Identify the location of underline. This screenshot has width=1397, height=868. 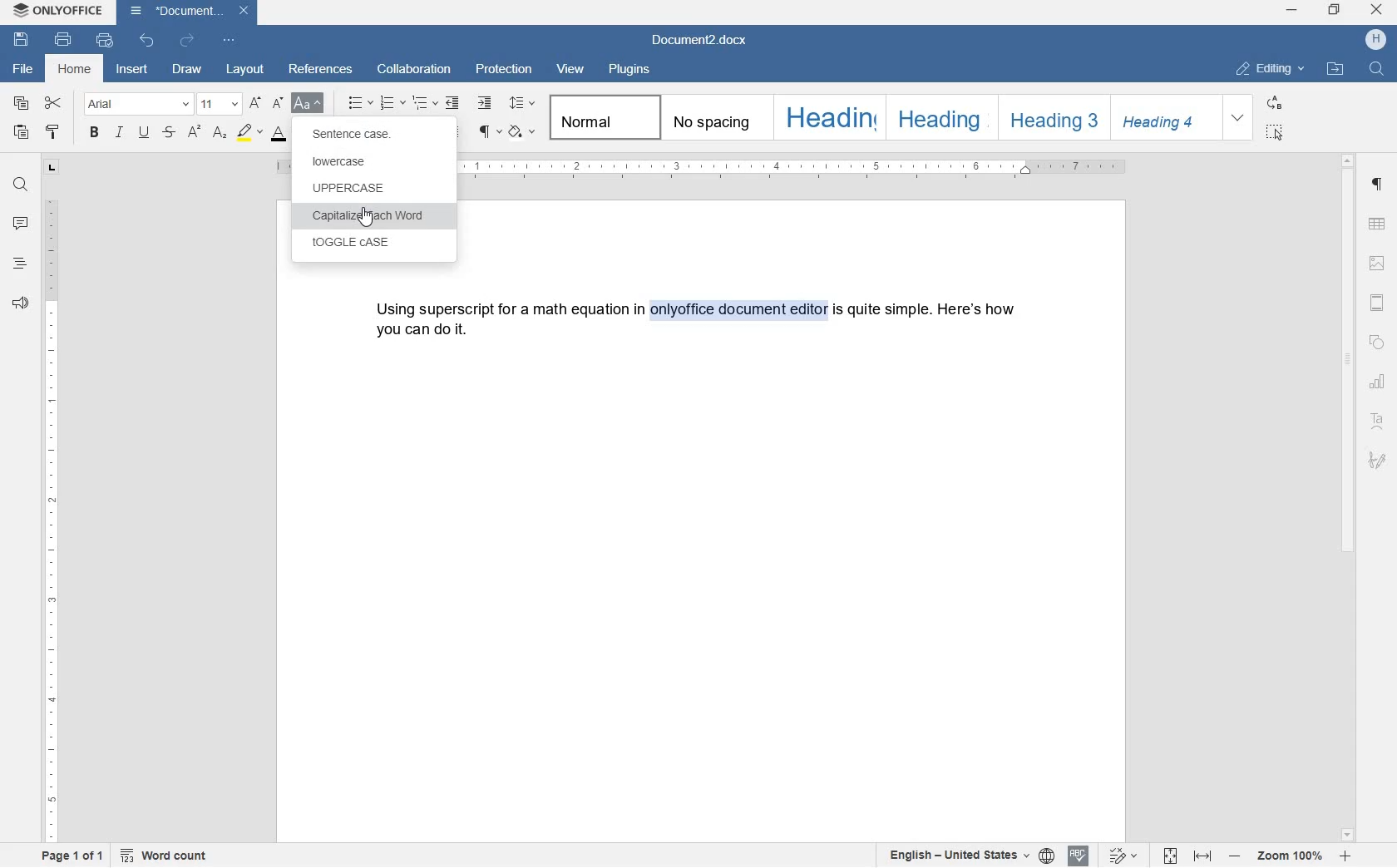
(143, 134).